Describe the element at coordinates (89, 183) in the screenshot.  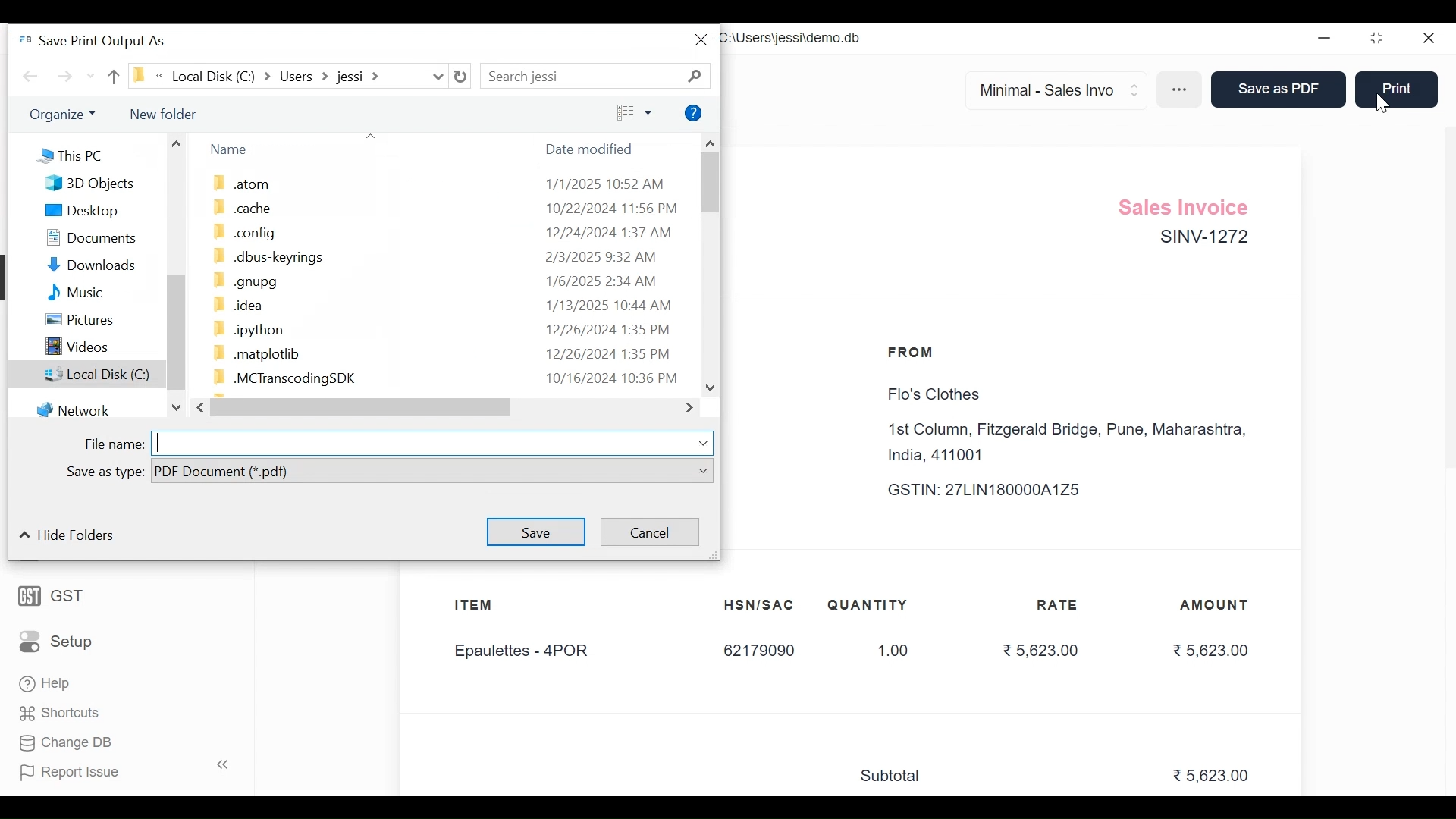
I see `3D Objects` at that location.